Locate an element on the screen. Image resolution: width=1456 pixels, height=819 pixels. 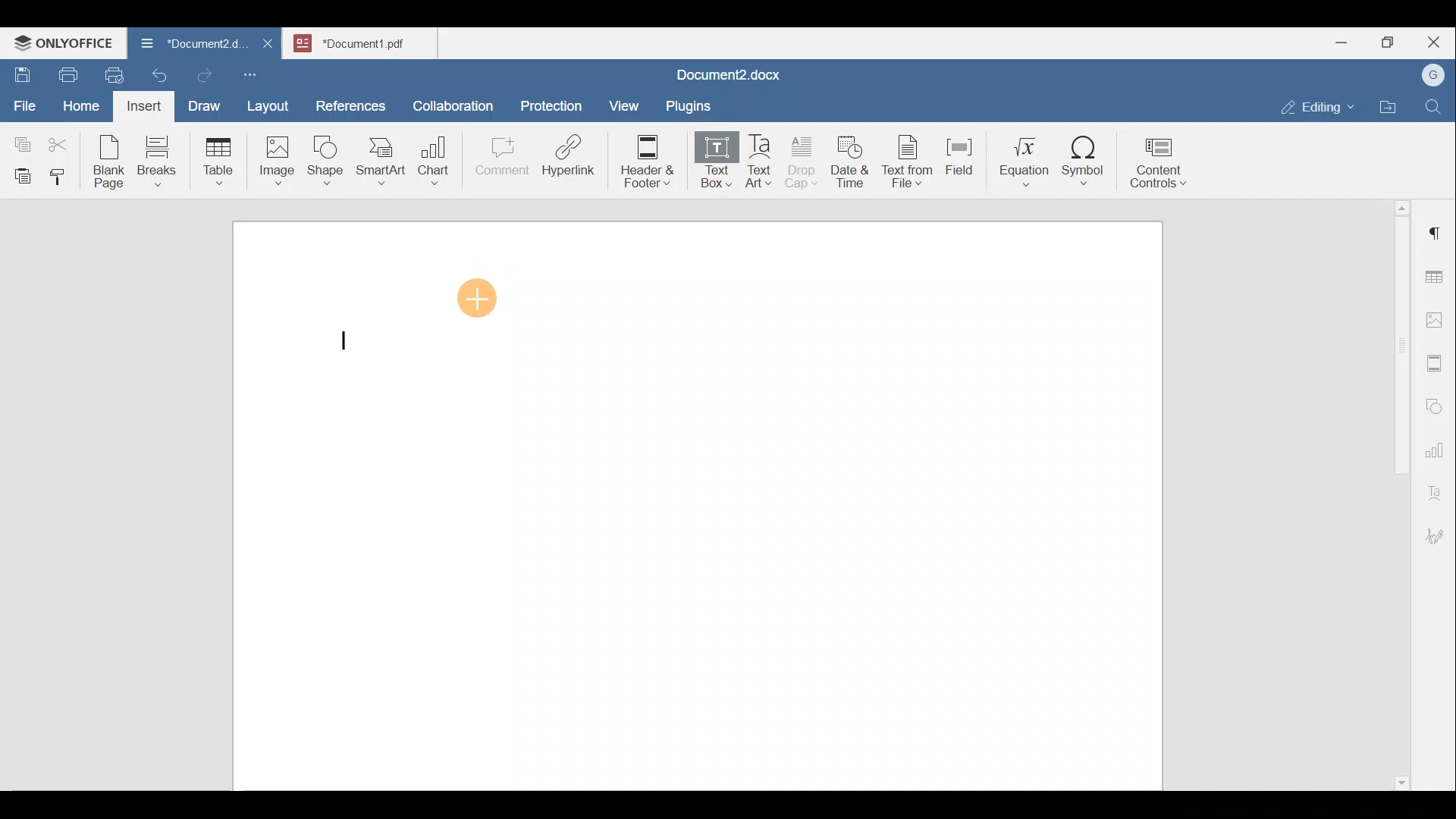
Symbol is located at coordinates (1084, 165).